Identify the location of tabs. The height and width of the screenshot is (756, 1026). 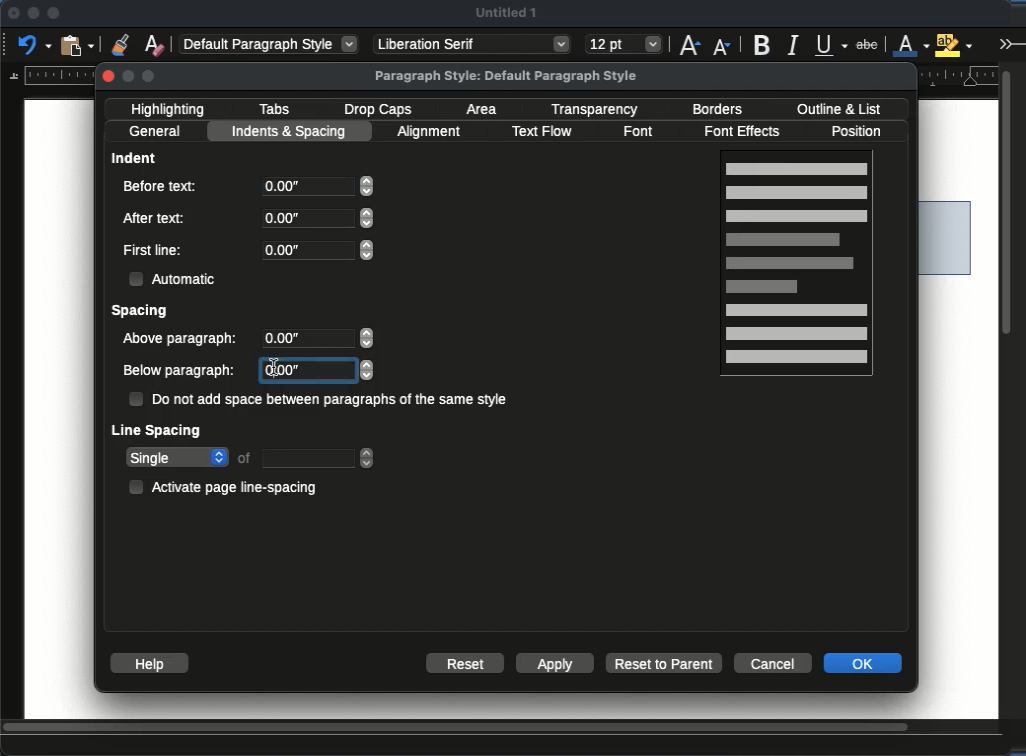
(274, 109).